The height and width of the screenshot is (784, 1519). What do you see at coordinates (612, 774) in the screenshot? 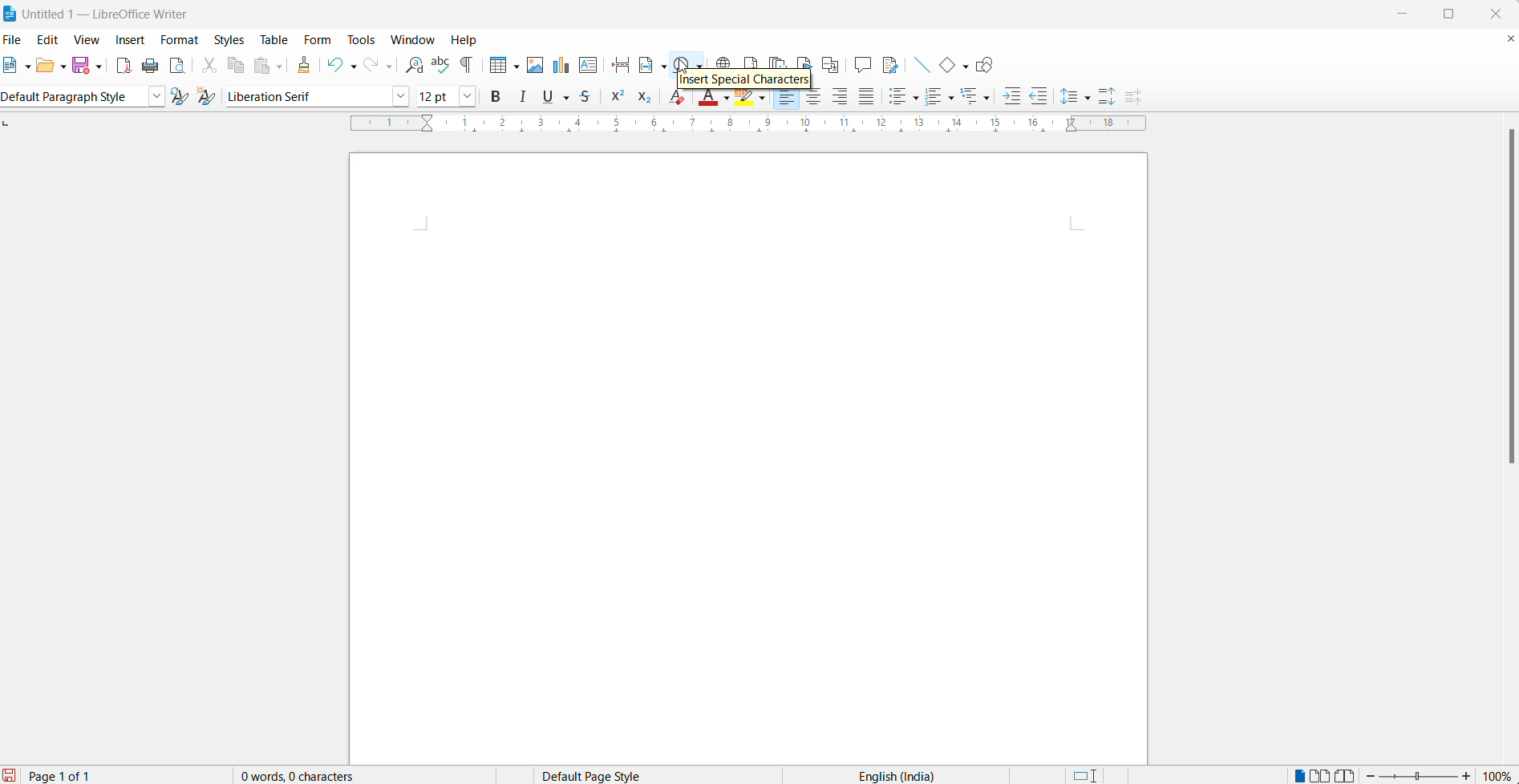
I see `page style` at bounding box center [612, 774].